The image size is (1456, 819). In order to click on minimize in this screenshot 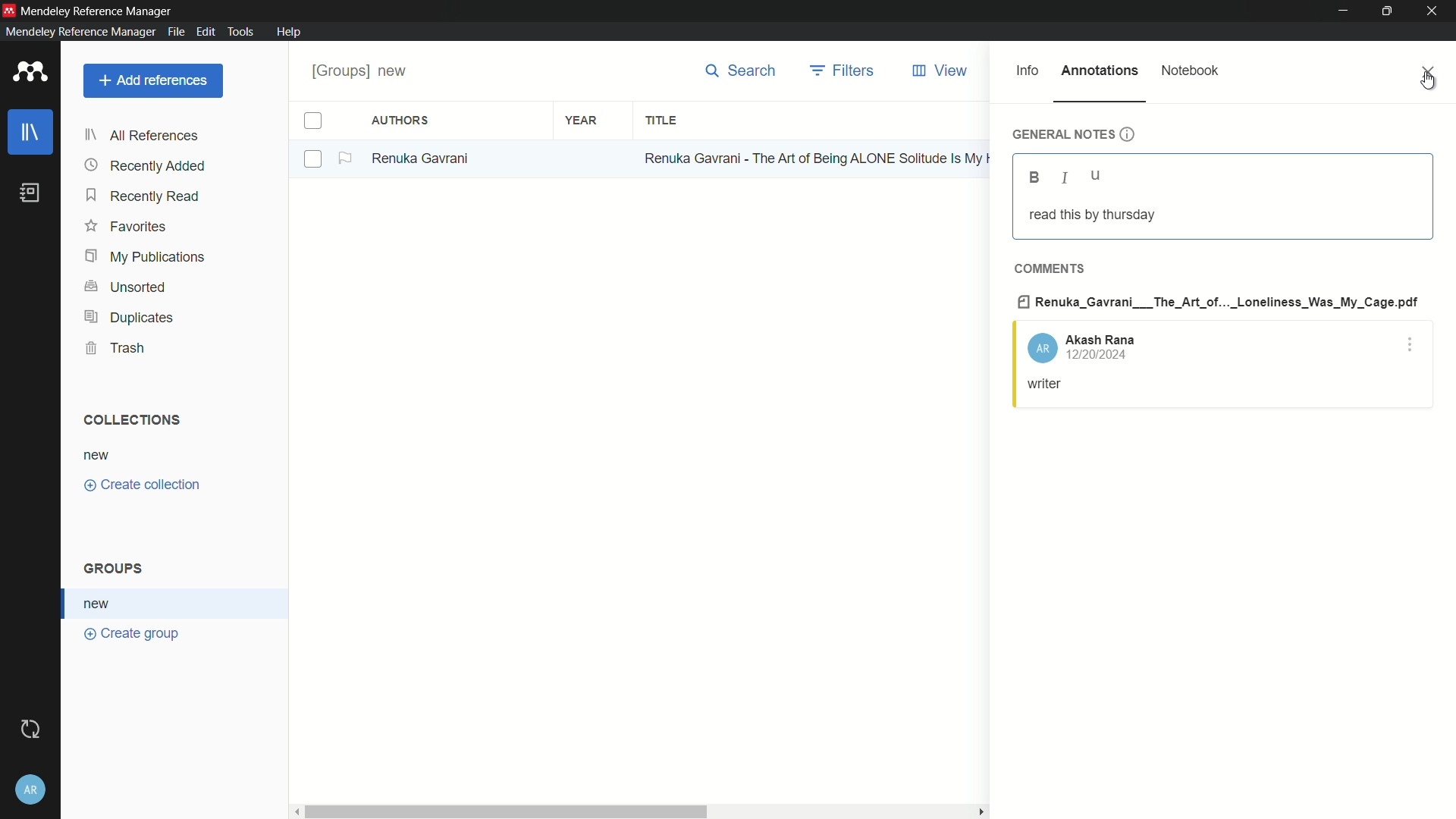, I will do `click(1344, 11)`.